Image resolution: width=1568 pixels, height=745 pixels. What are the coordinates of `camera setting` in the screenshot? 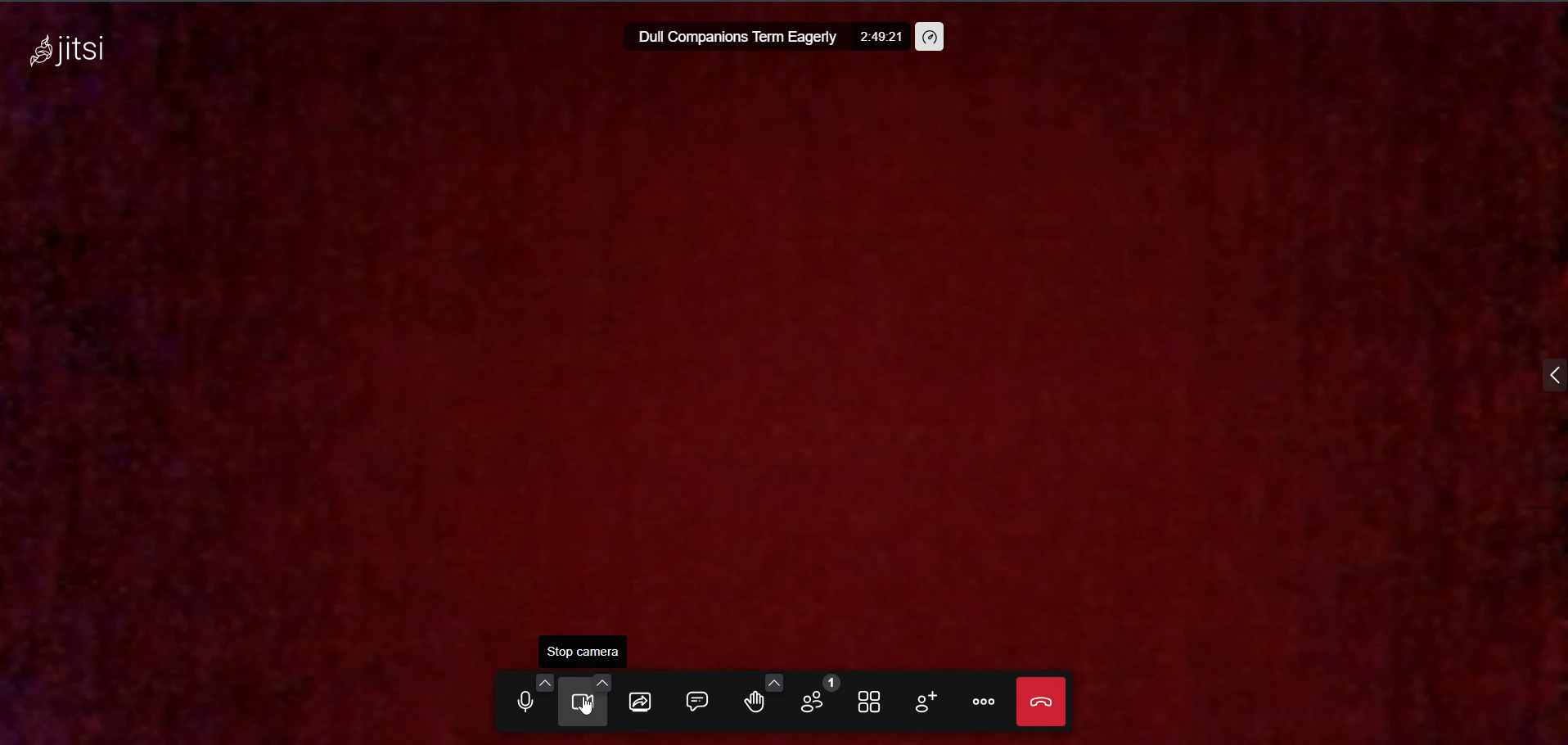 It's located at (596, 682).